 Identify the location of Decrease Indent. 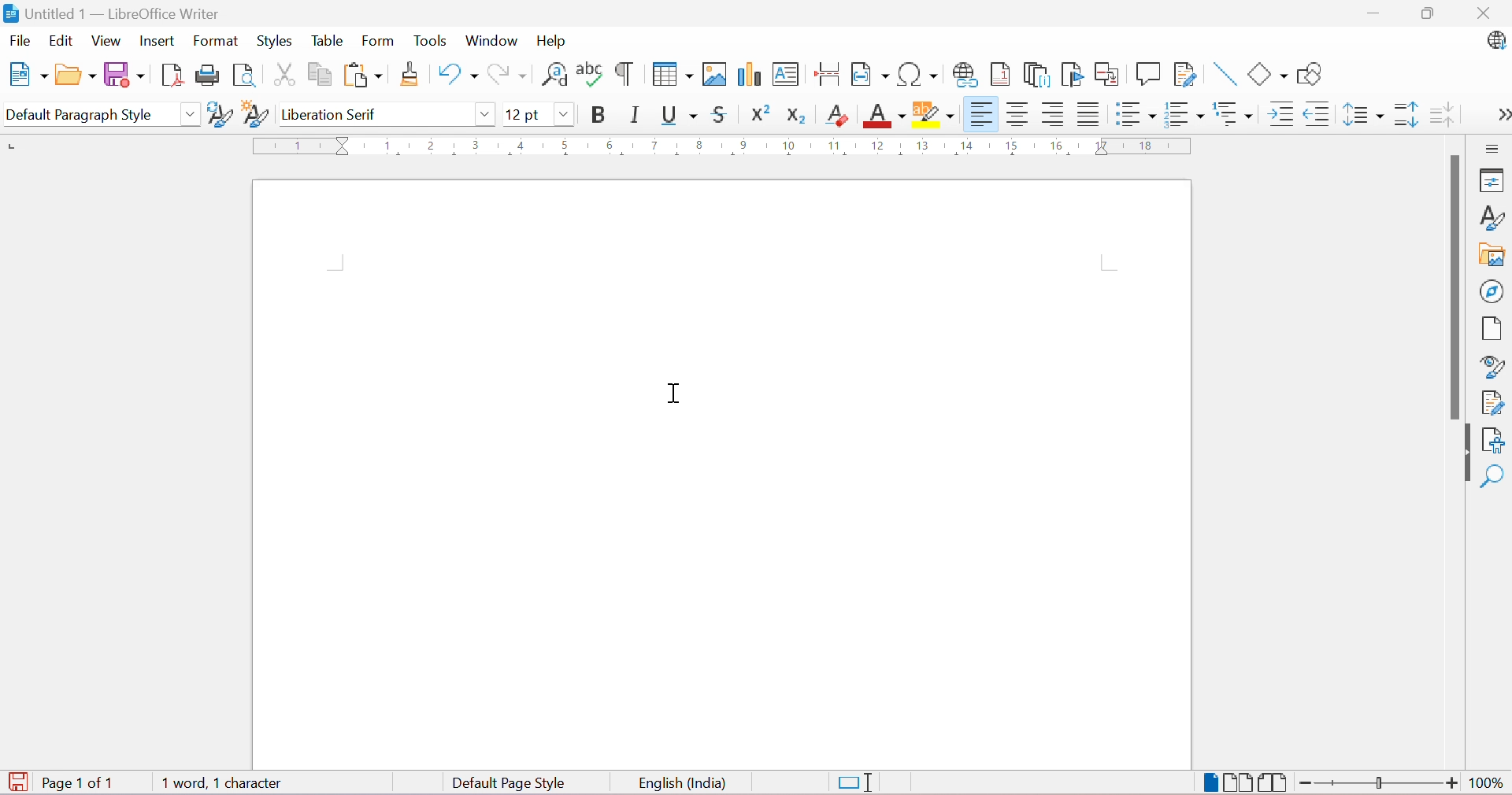
(1317, 113).